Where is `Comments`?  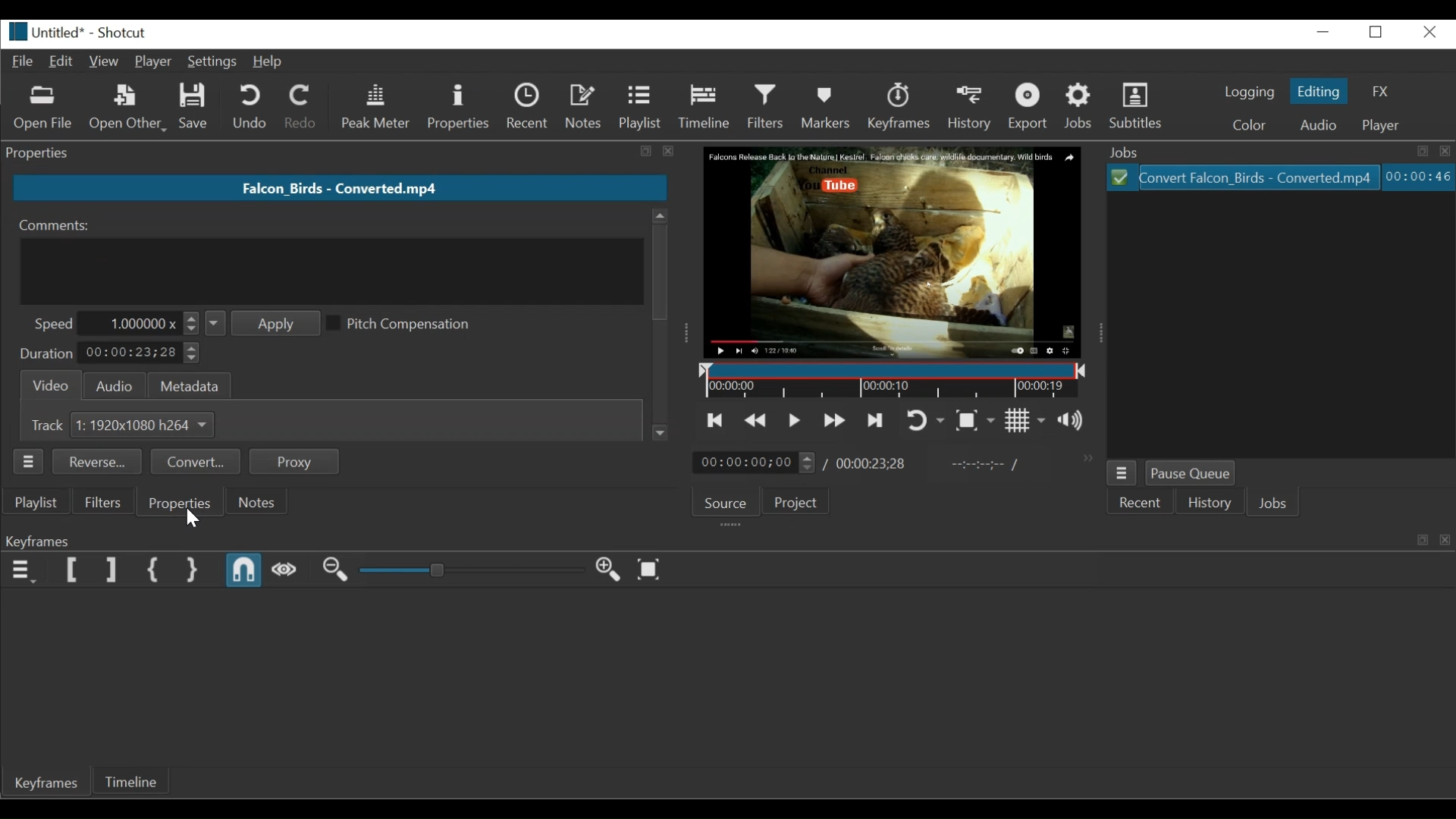 Comments is located at coordinates (58, 225).